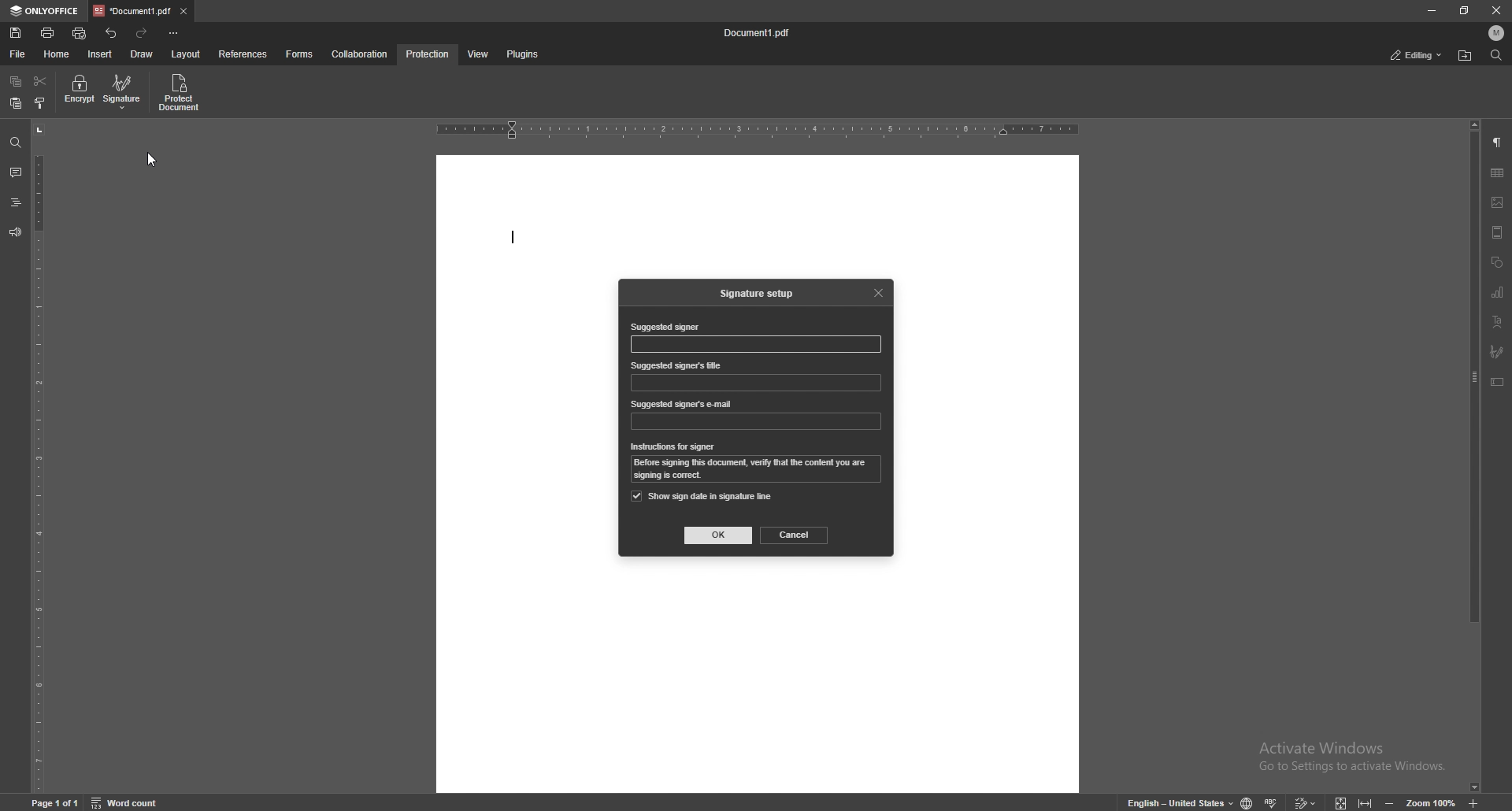 This screenshot has width=1512, height=811. I want to click on onlyoffice, so click(46, 11).